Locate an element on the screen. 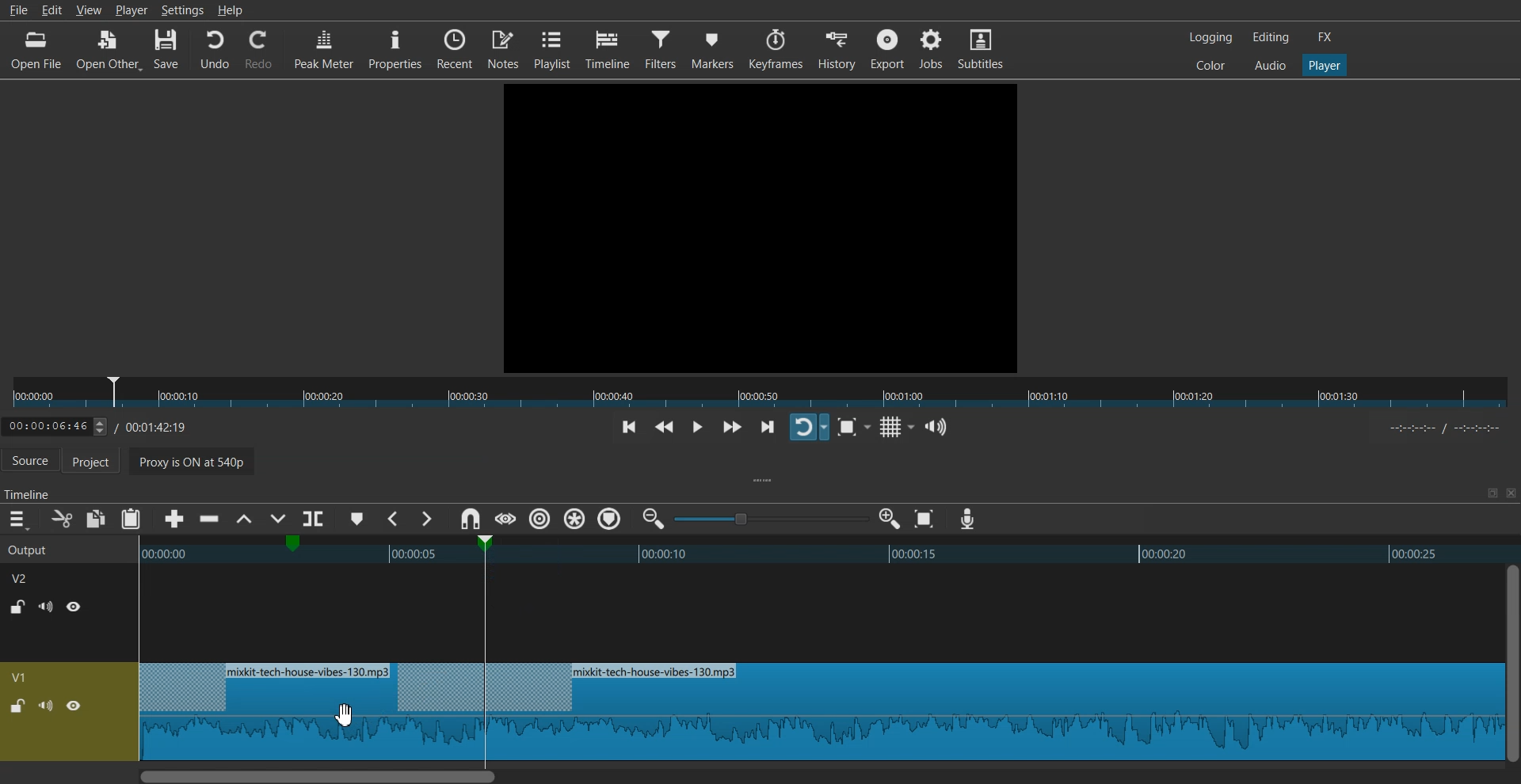 This screenshot has width=1521, height=784. FX is located at coordinates (1325, 37).